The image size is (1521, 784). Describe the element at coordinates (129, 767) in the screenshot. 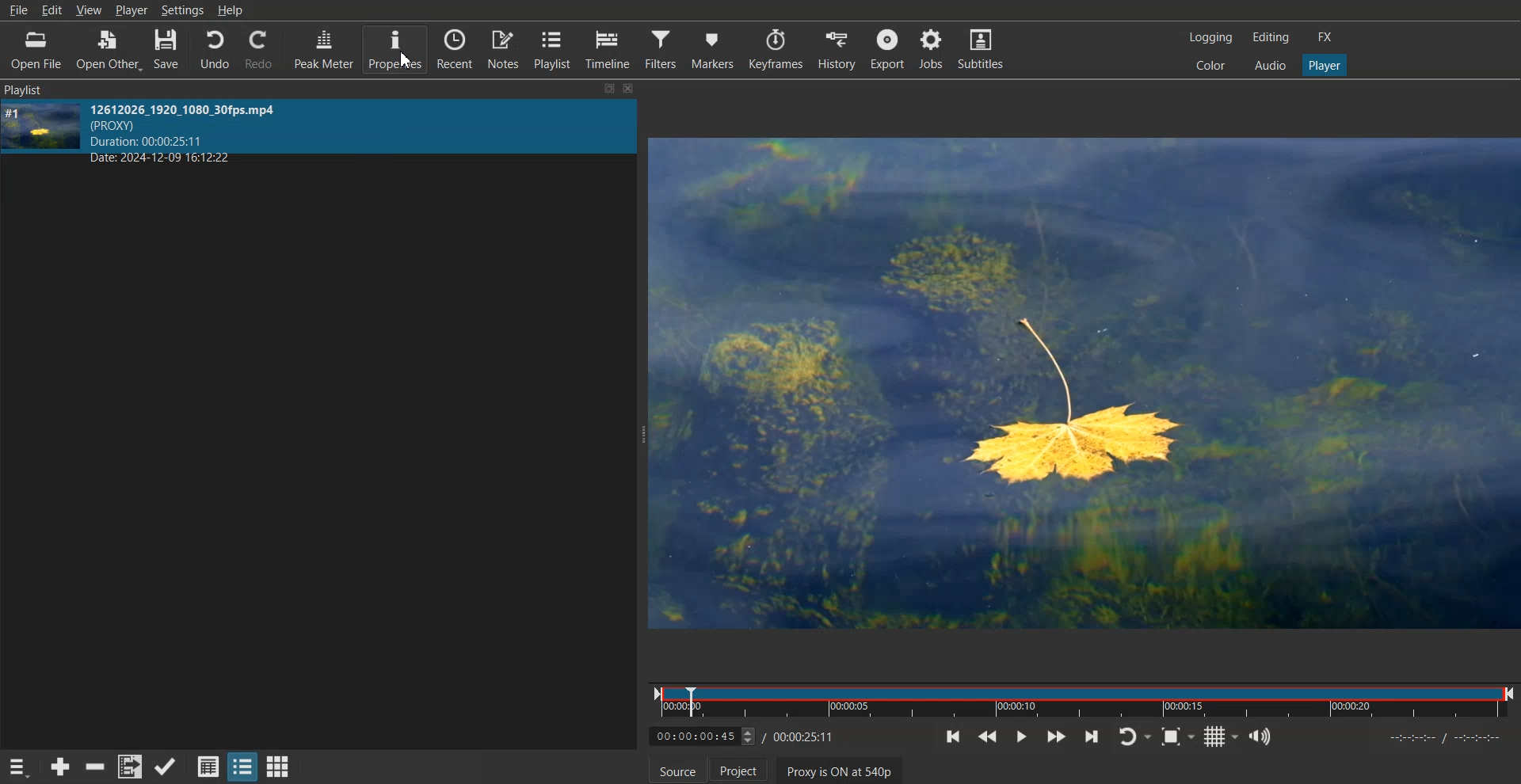

I see `Add file to playlist` at that location.